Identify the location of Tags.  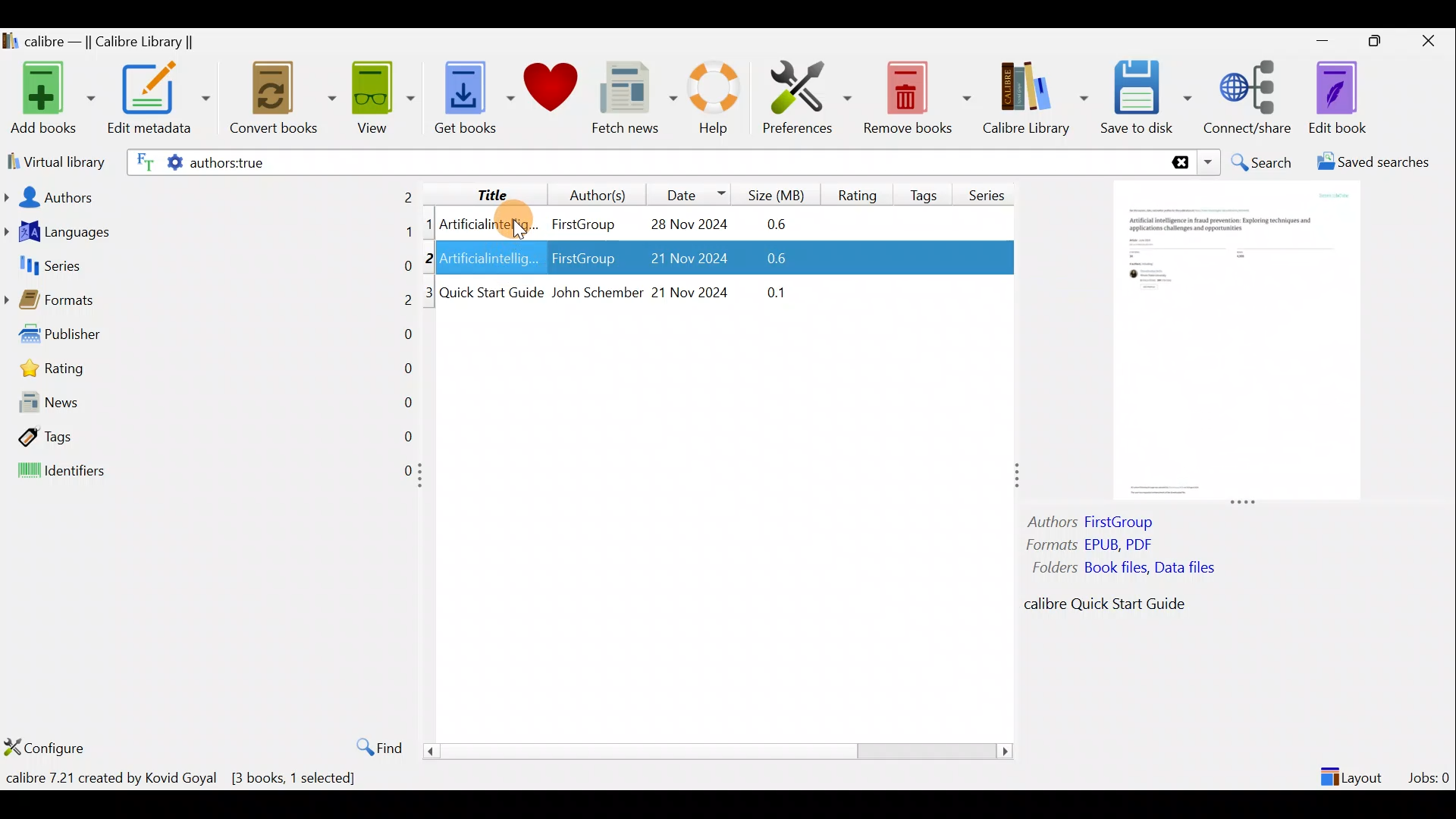
(209, 435).